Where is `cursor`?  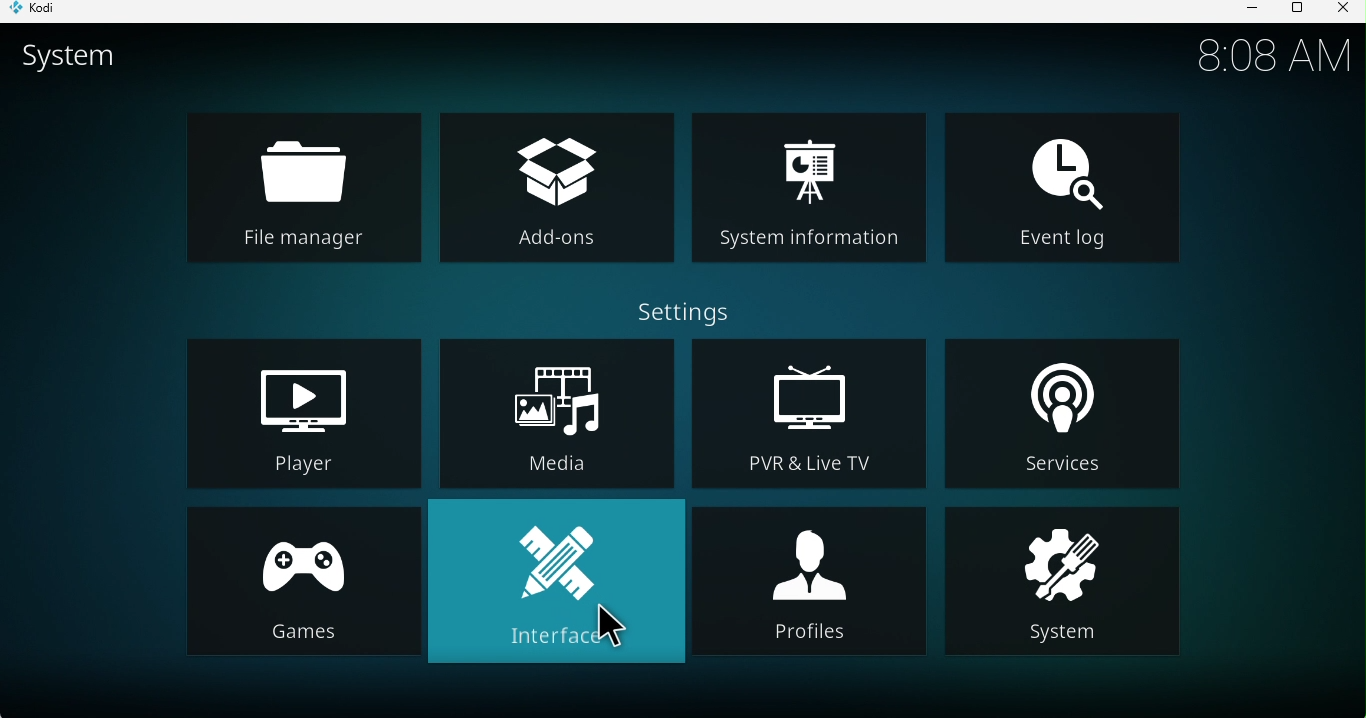 cursor is located at coordinates (611, 633).